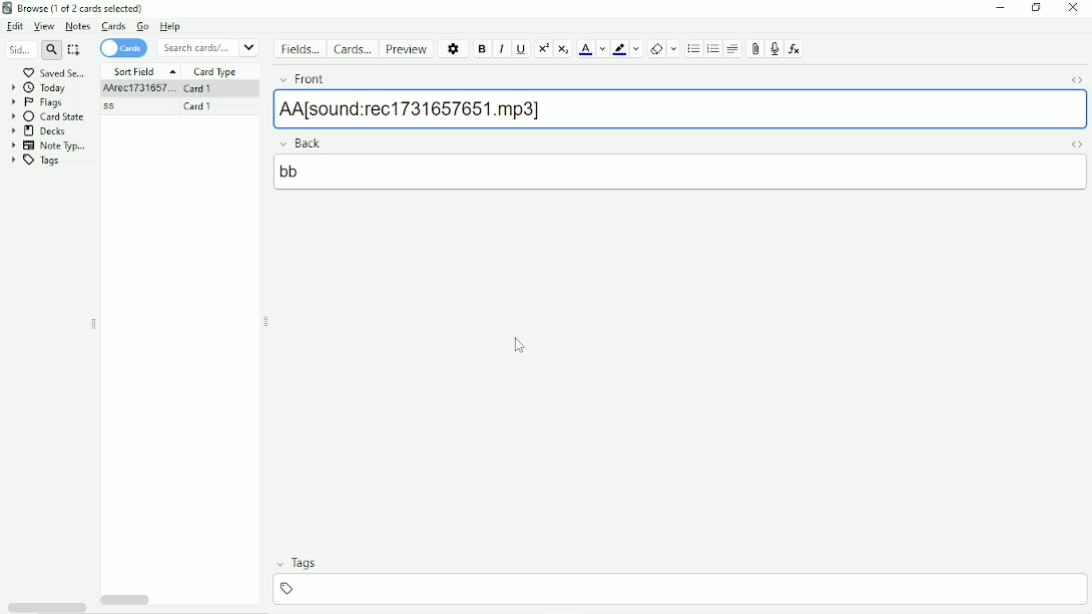 Image resolution: width=1092 pixels, height=614 pixels. Describe the element at coordinates (299, 48) in the screenshot. I see `Fields` at that location.